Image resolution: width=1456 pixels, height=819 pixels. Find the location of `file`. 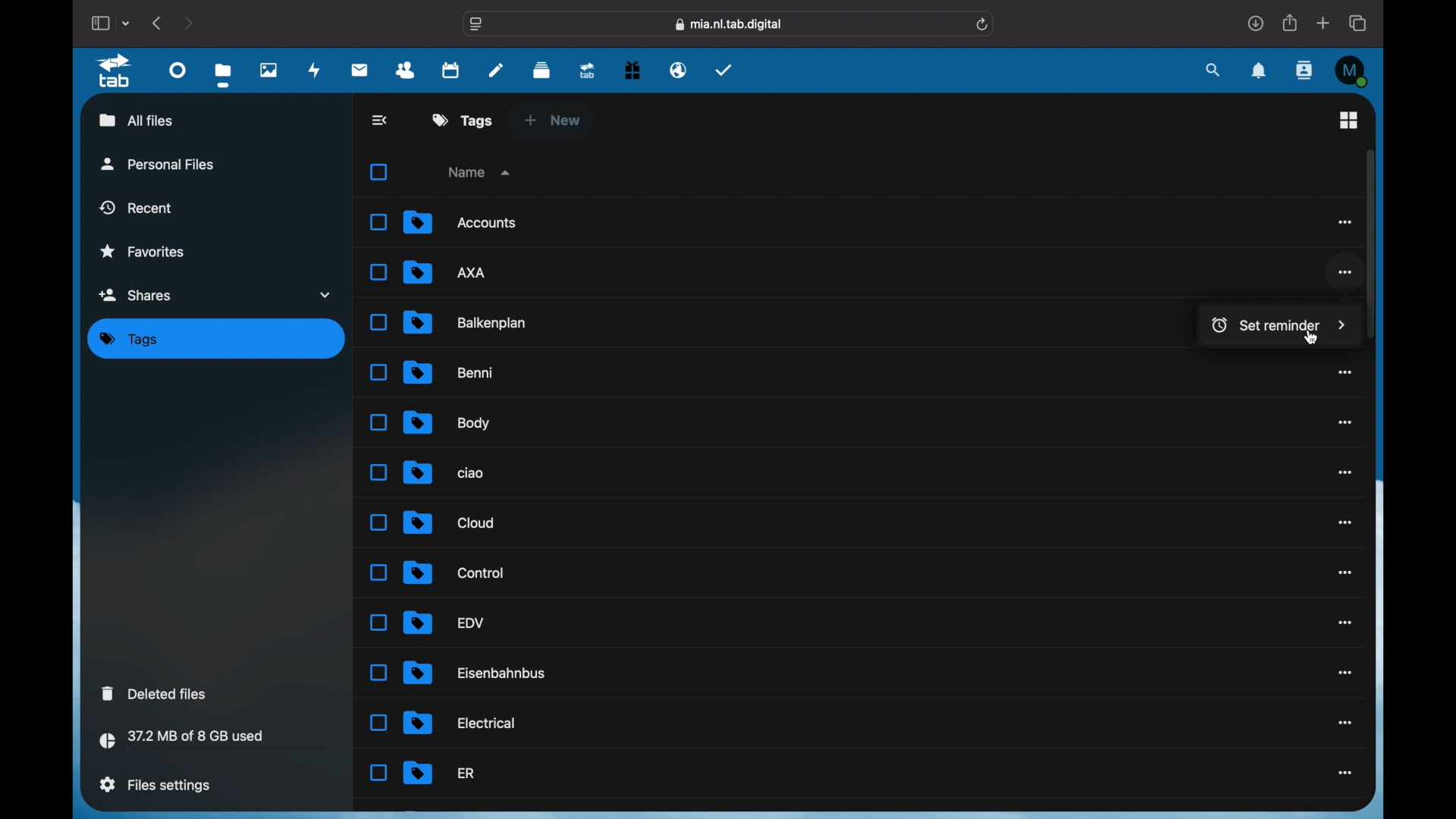

file is located at coordinates (447, 423).